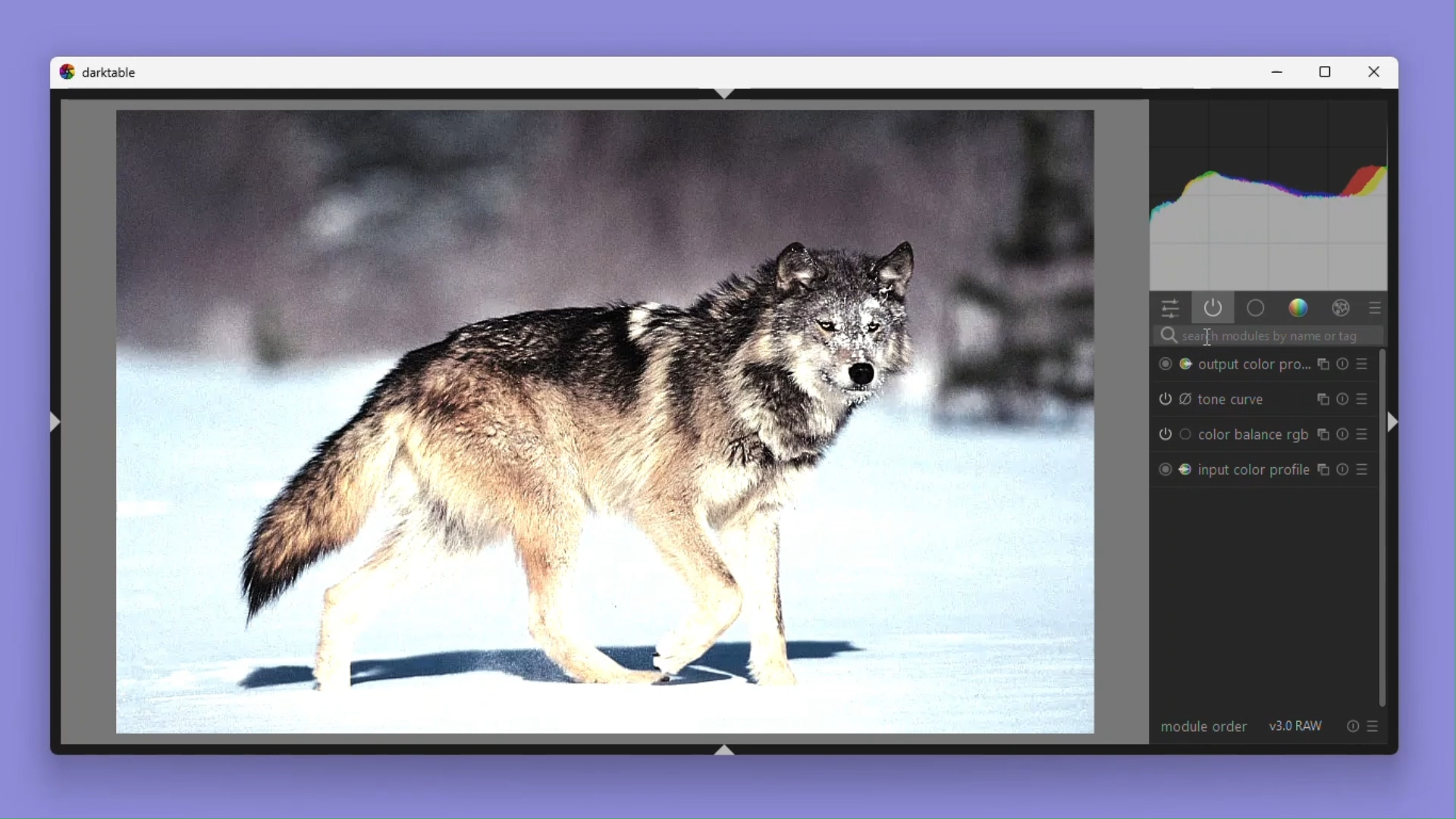 The height and width of the screenshot is (819, 1456). I want to click on preset, so click(1376, 307).